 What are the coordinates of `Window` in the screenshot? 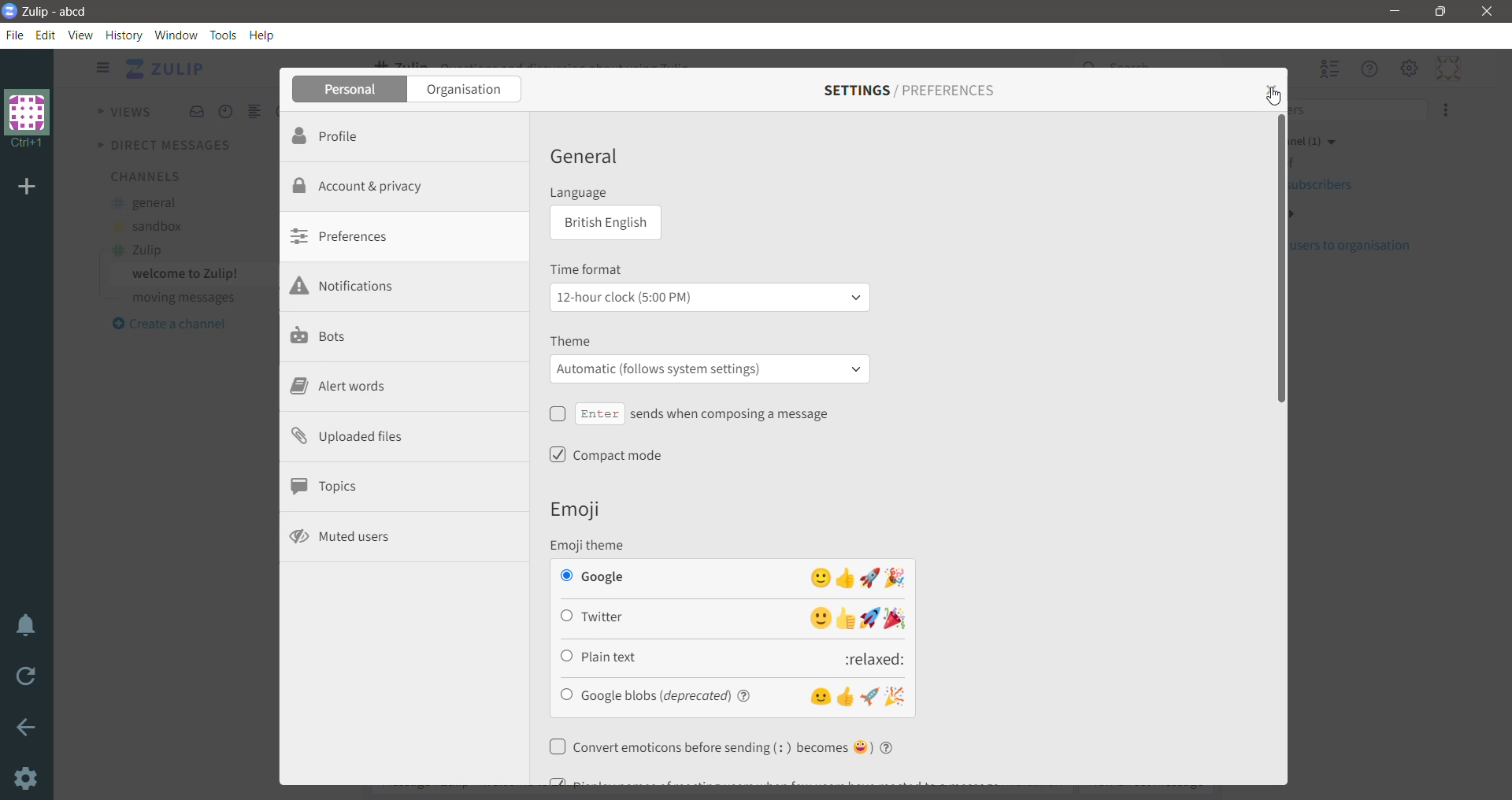 It's located at (176, 35).